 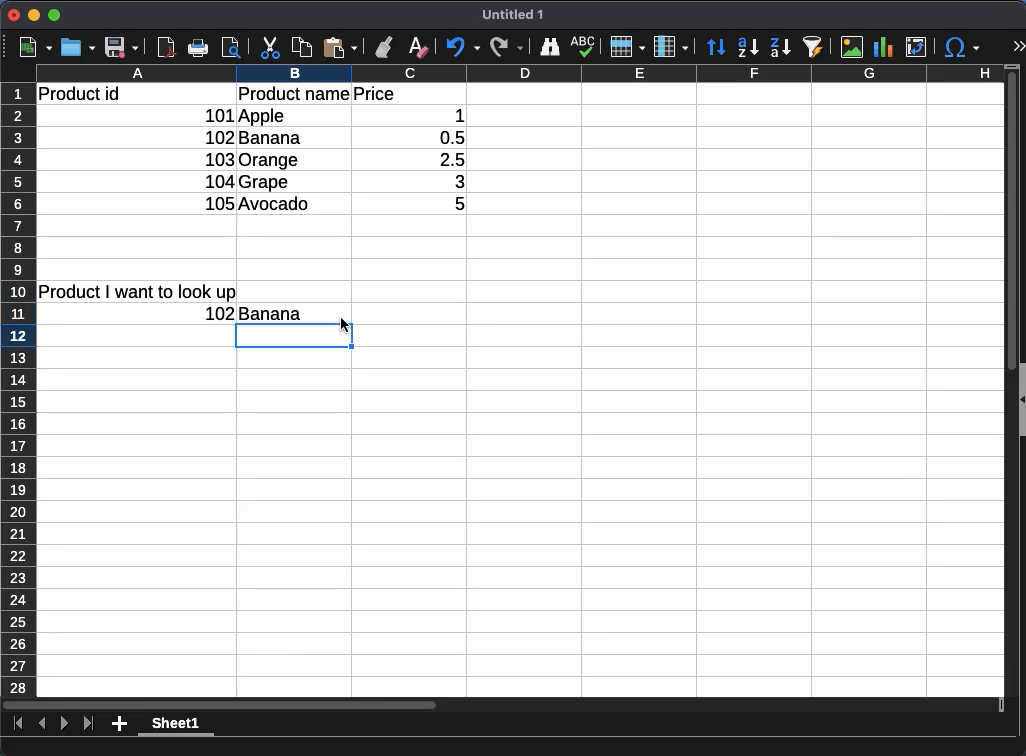 I want to click on rows, so click(x=628, y=46).